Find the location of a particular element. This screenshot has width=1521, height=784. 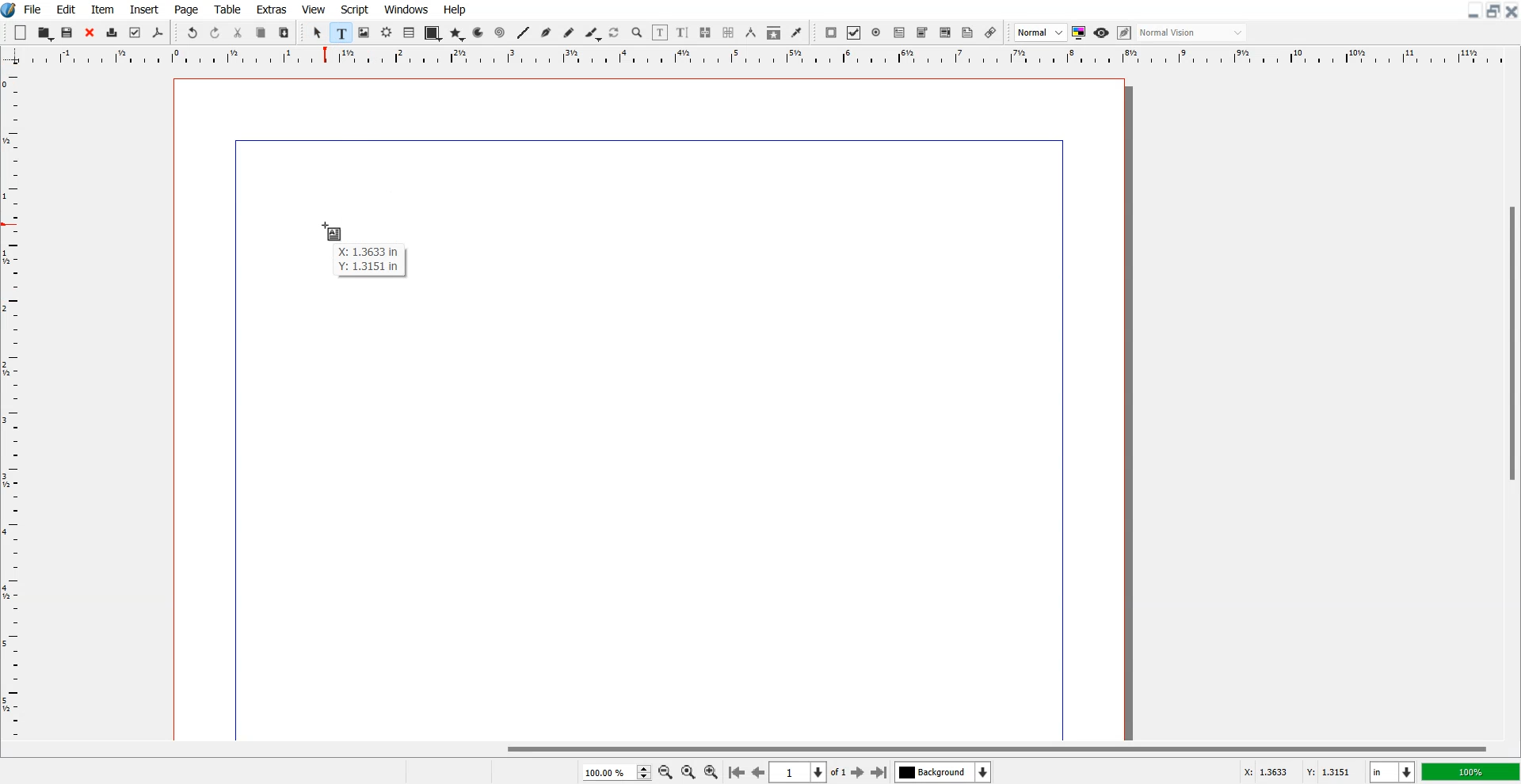

Edit content of frame is located at coordinates (660, 32).